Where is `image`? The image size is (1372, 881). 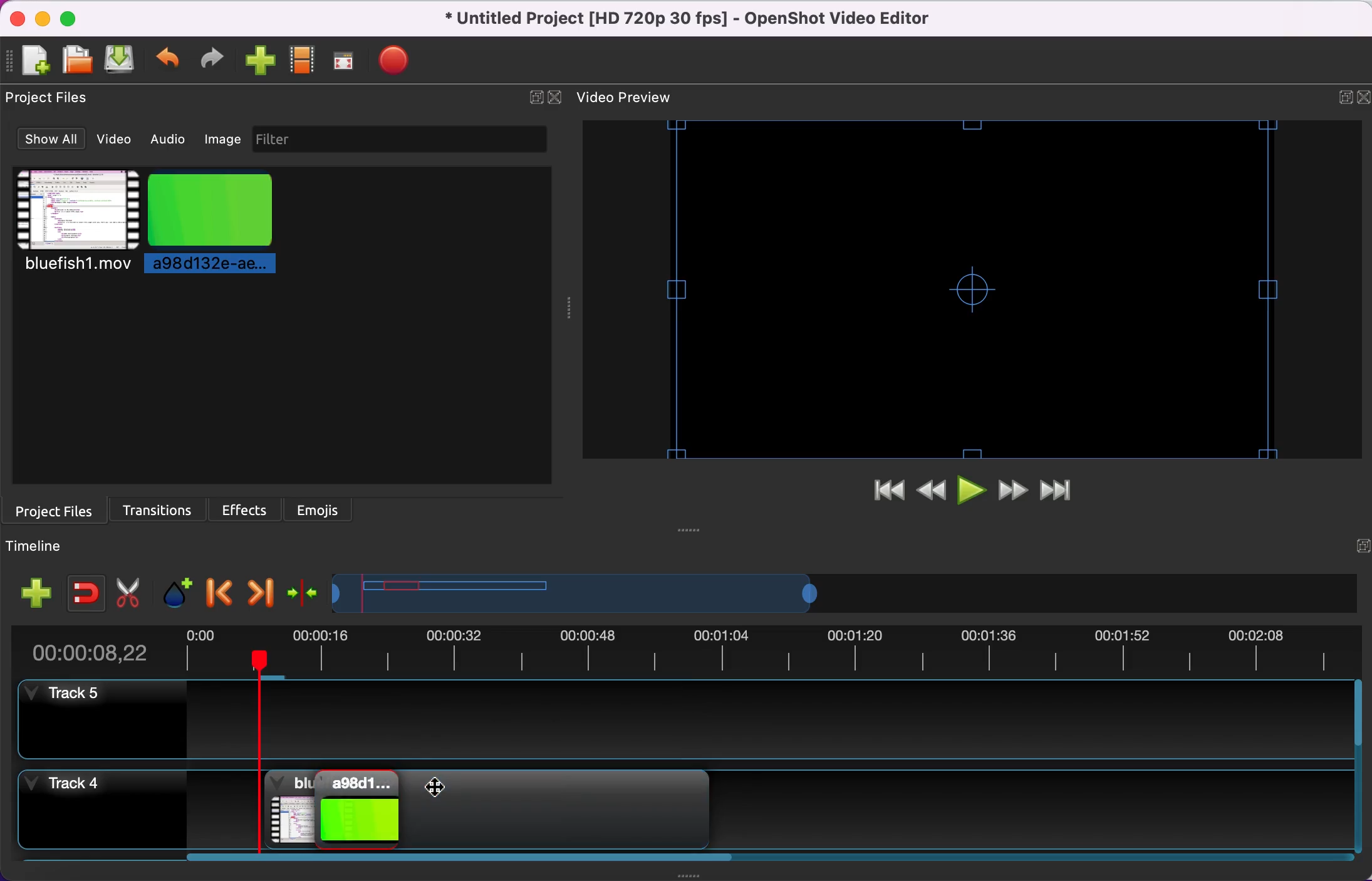 image is located at coordinates (221, 138).